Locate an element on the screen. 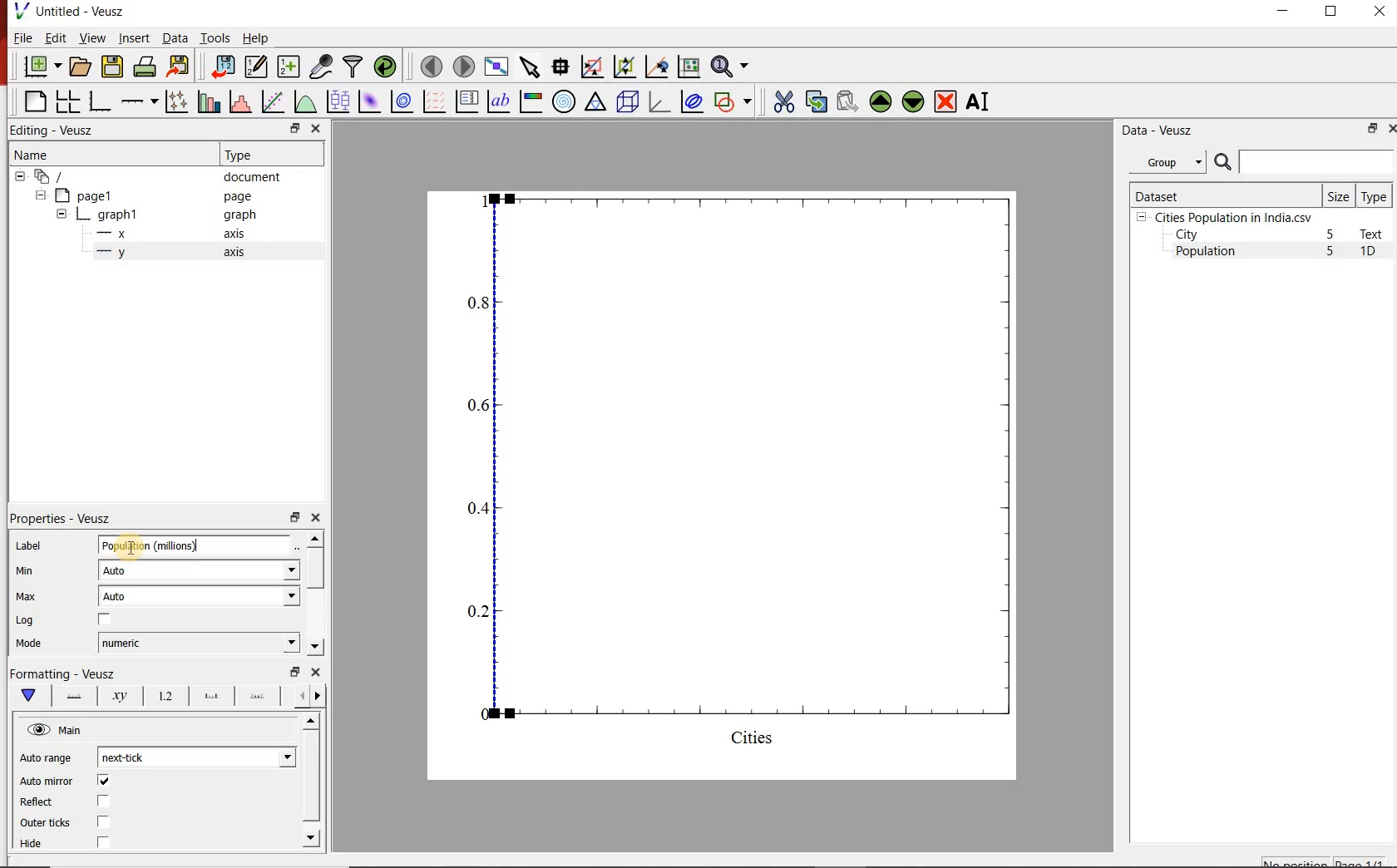 The image size is (1397, 868). click to reset graph axes is located at coordinates (689, 66).